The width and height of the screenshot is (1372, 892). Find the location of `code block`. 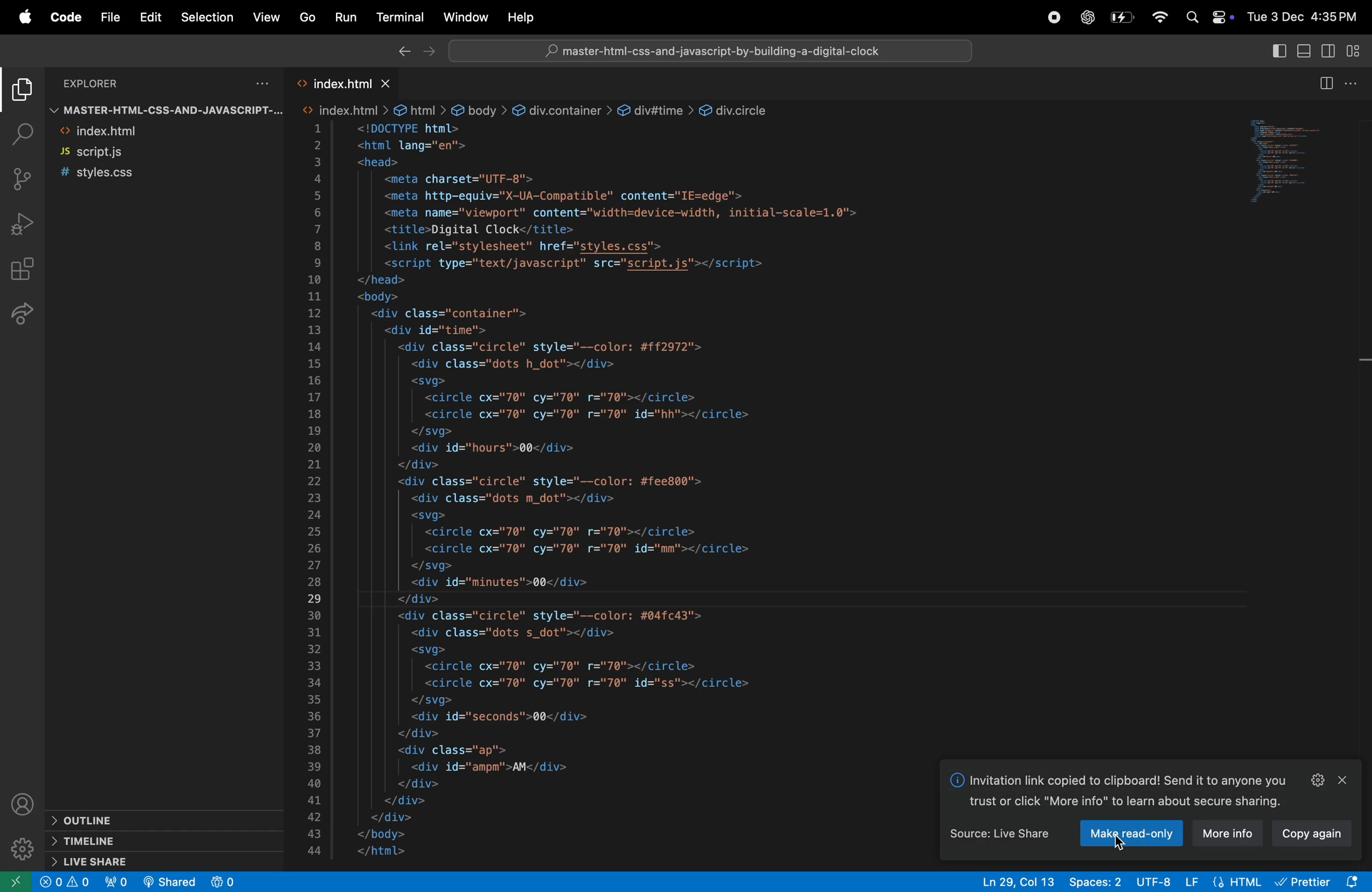

code block is located at coordinates (606, 480).